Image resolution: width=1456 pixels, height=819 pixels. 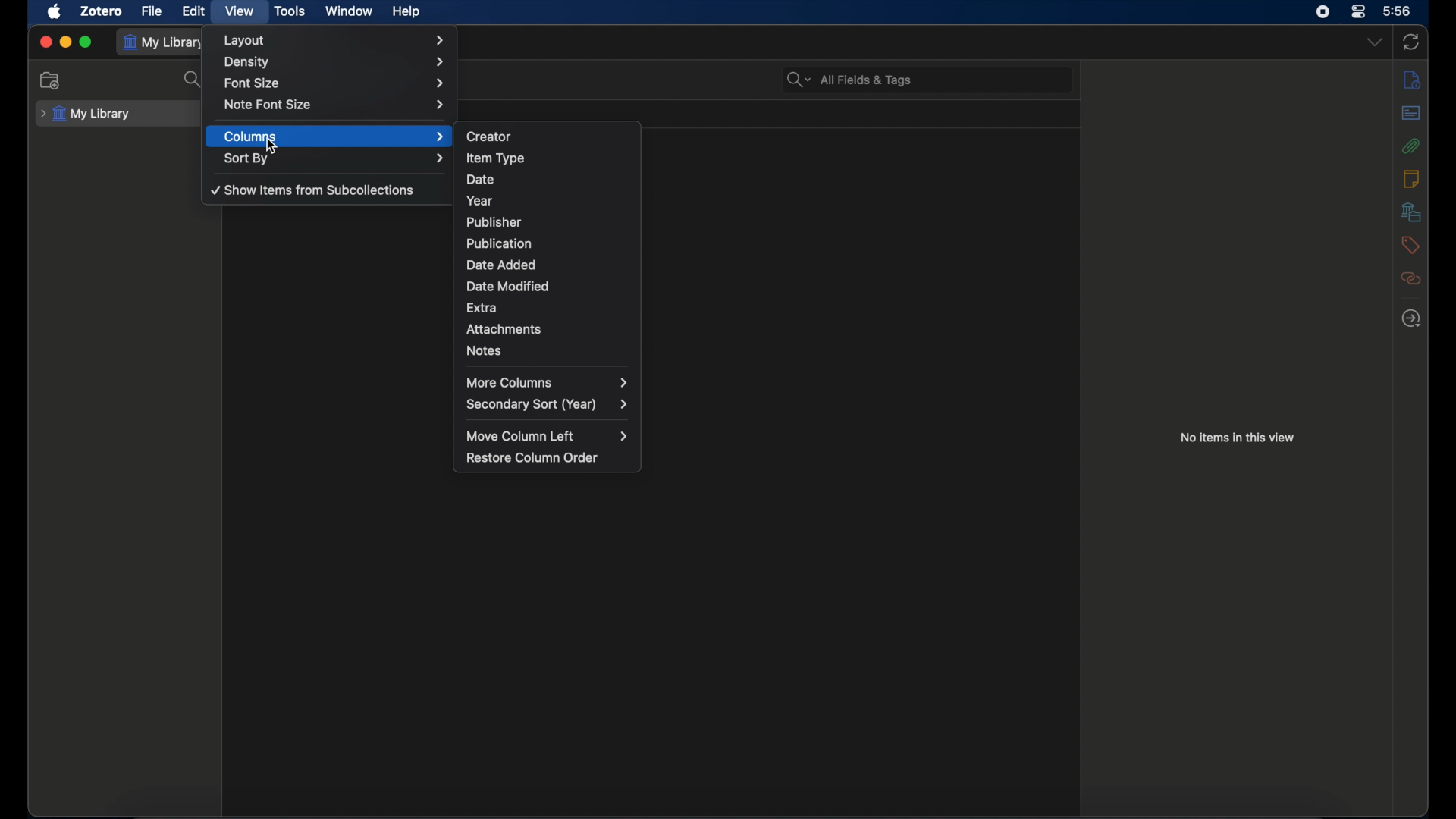 What do you see at coordinates (273, 146) in the screenshot?
I see `cursor` at bounding box center [273, 146].